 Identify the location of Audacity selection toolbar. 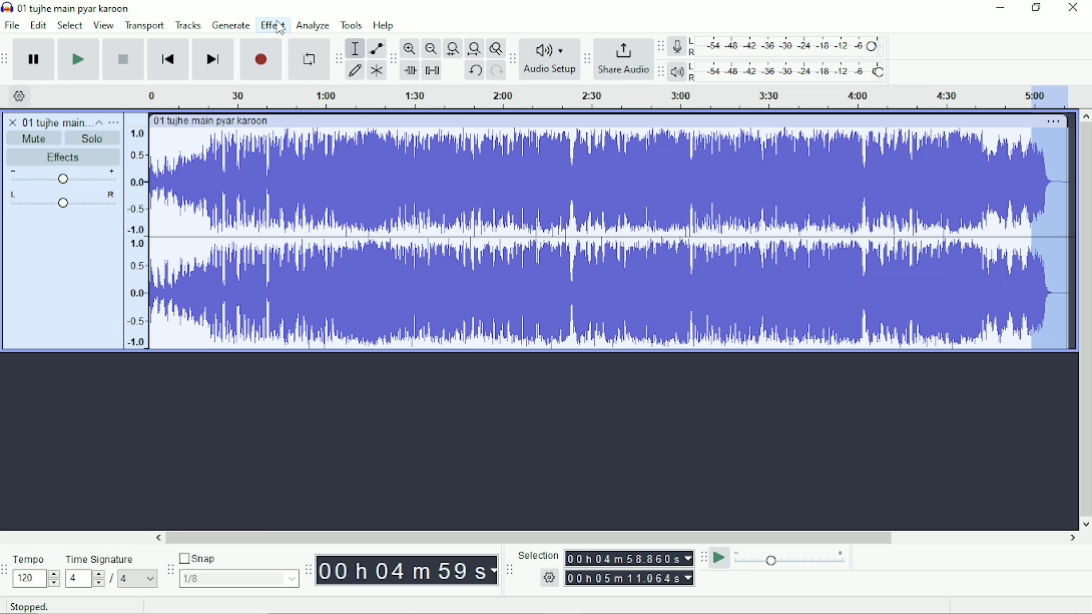
(509, 569).